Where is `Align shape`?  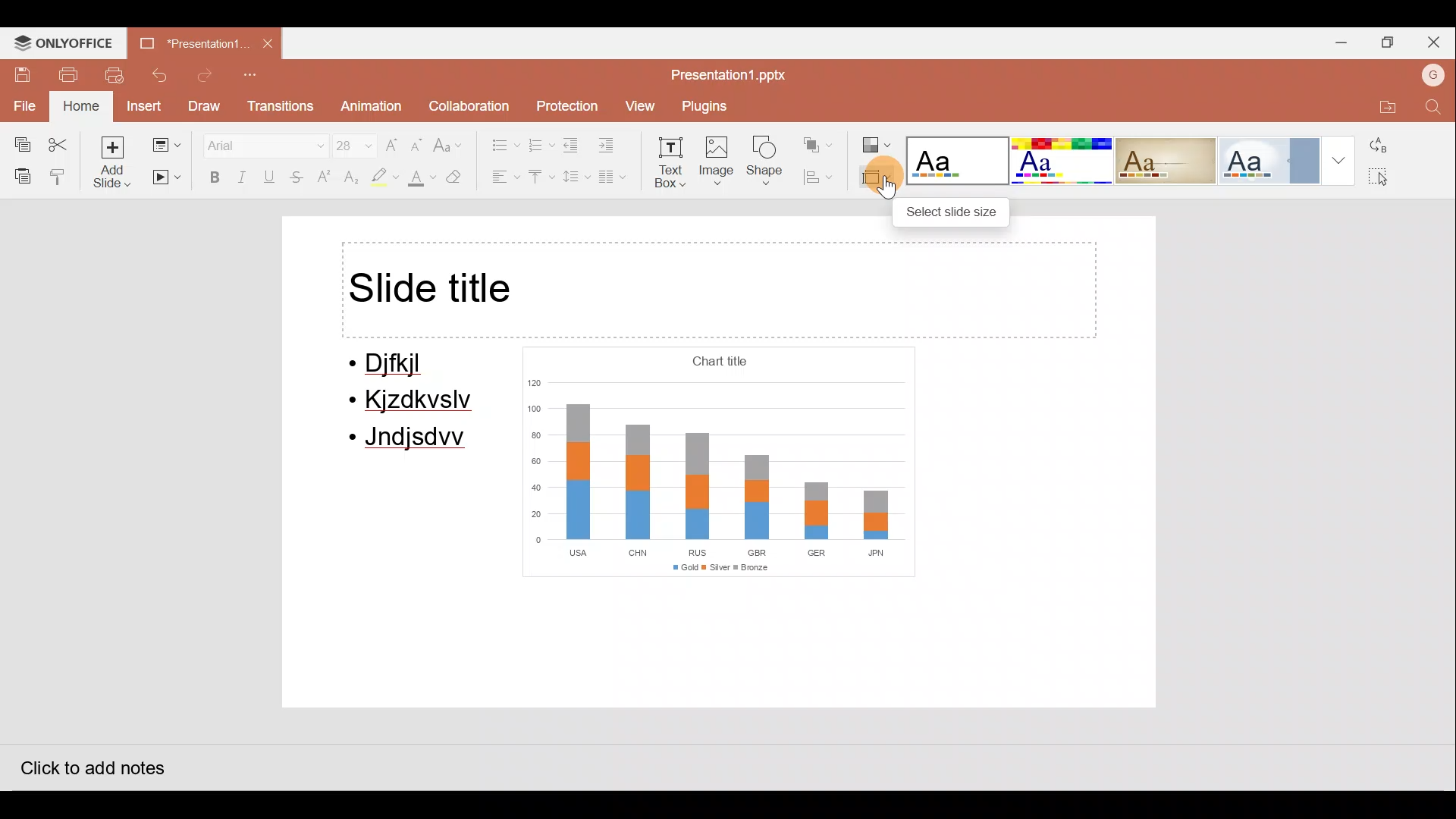 Align shape is located at coordinates (822, 177).